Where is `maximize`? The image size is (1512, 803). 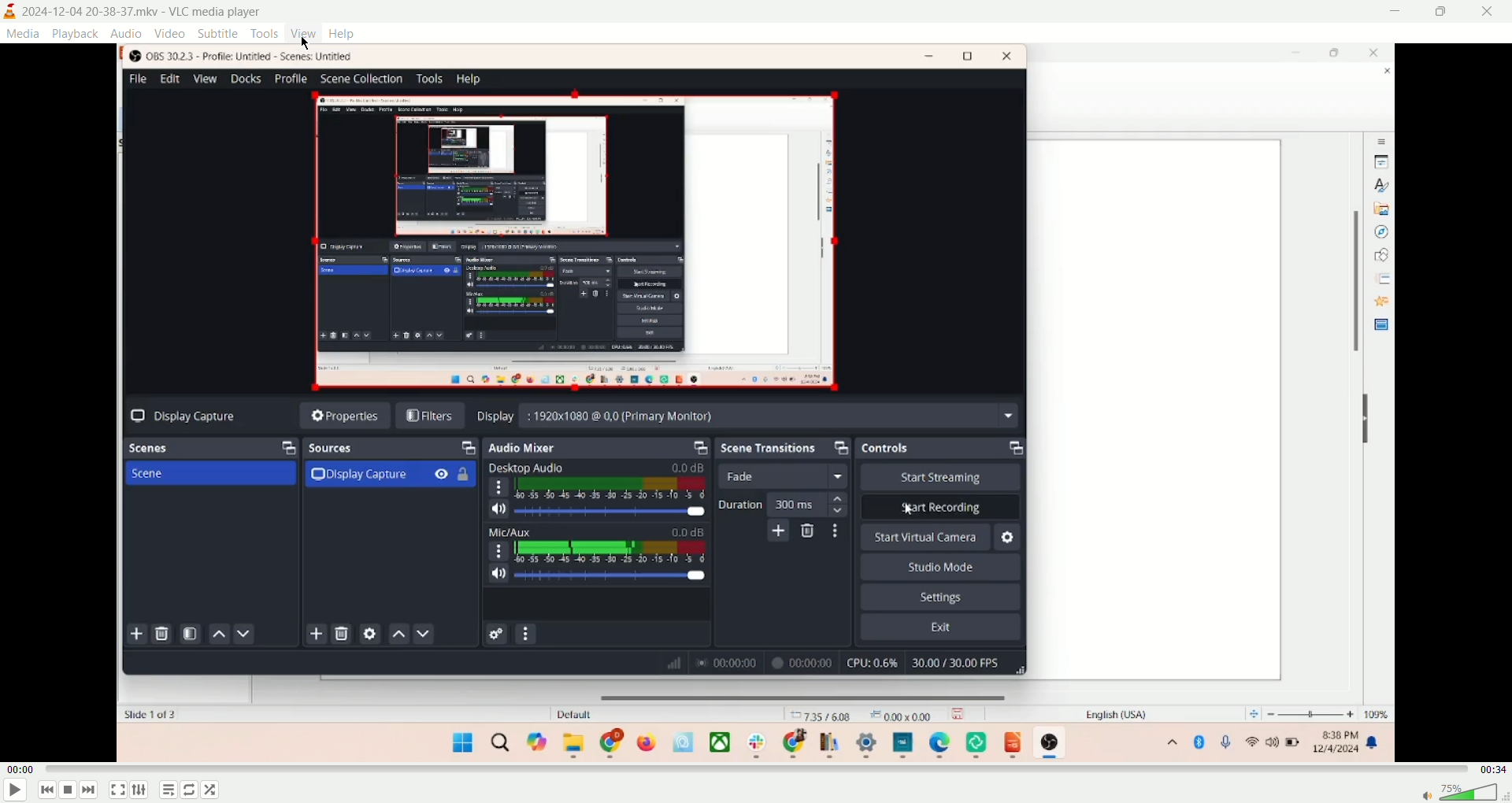
maximize is located at coordinates (1442, 13).